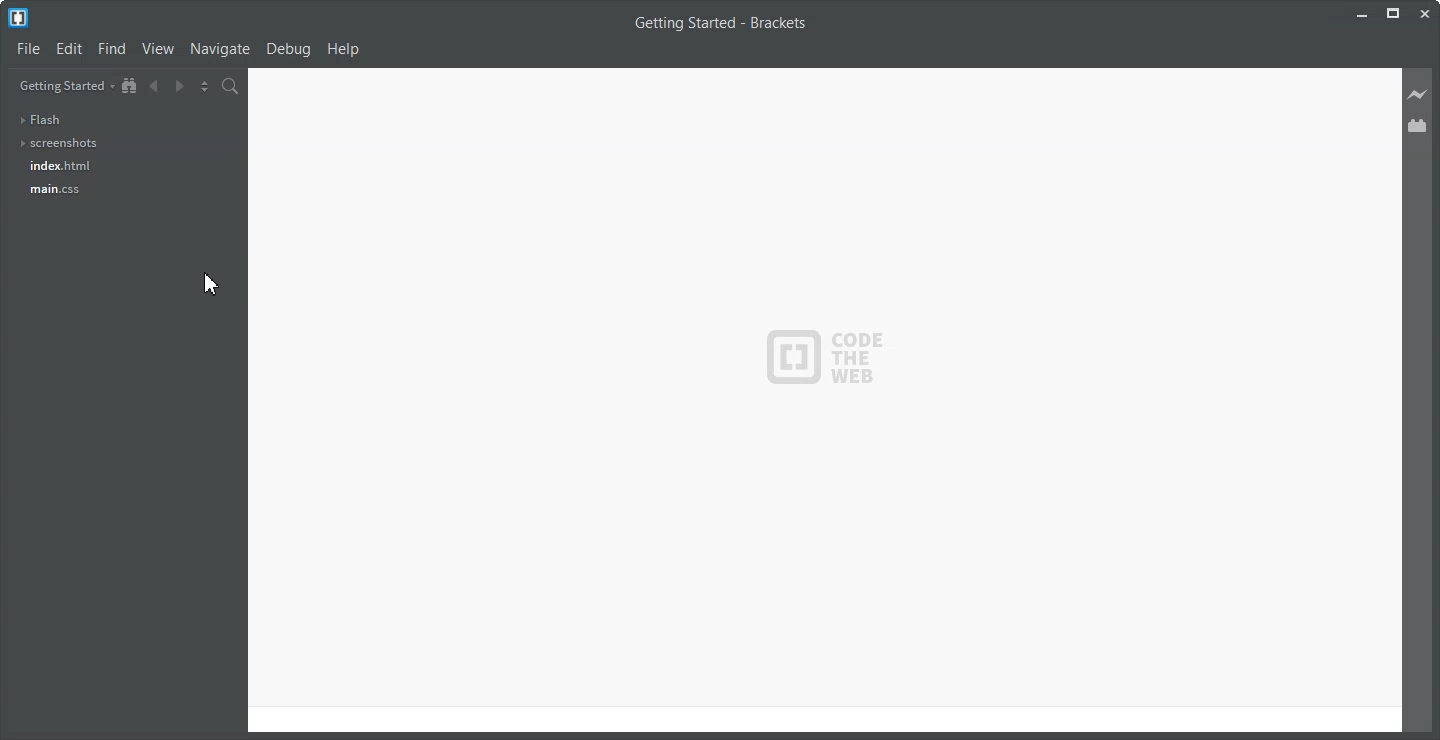  What do you see at coordinates (1426, 13) in the screenshot?
I see `Close` at bounding box center [1426, 13].